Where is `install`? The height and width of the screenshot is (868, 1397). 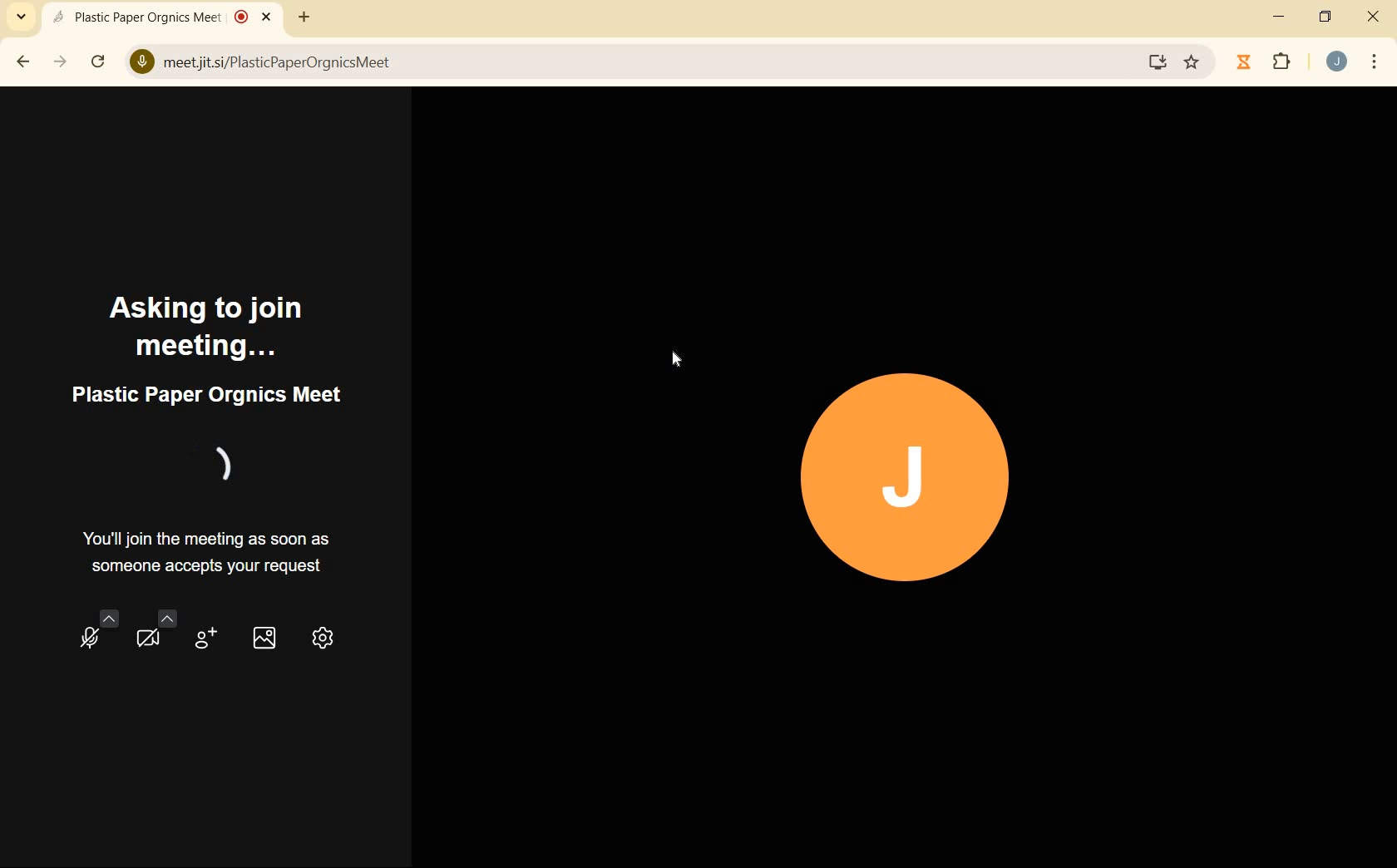
install is located at coordinates (1158, 65).